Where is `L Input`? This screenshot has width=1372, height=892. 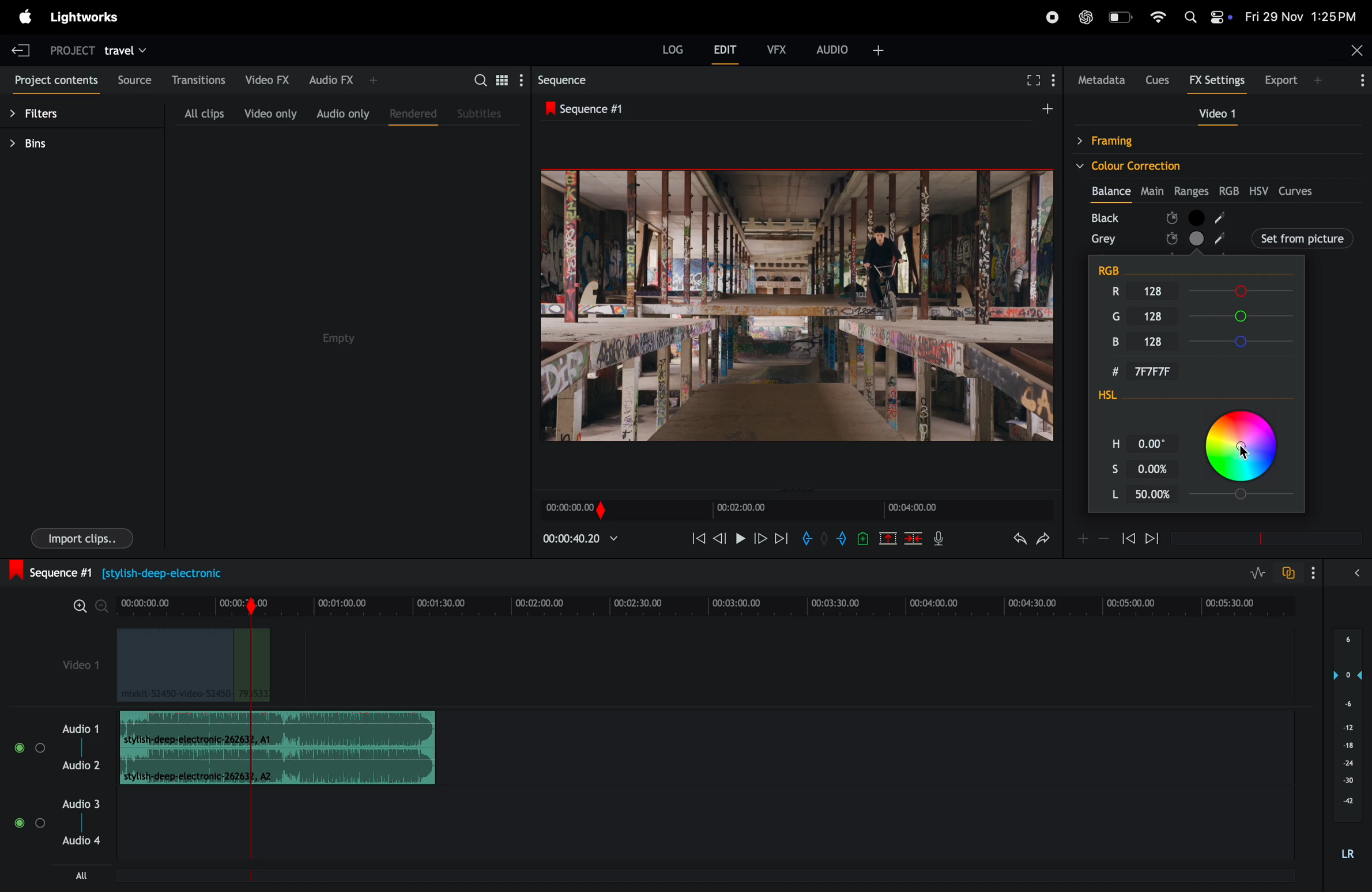
L Input is located at coordinates (1155, 495).